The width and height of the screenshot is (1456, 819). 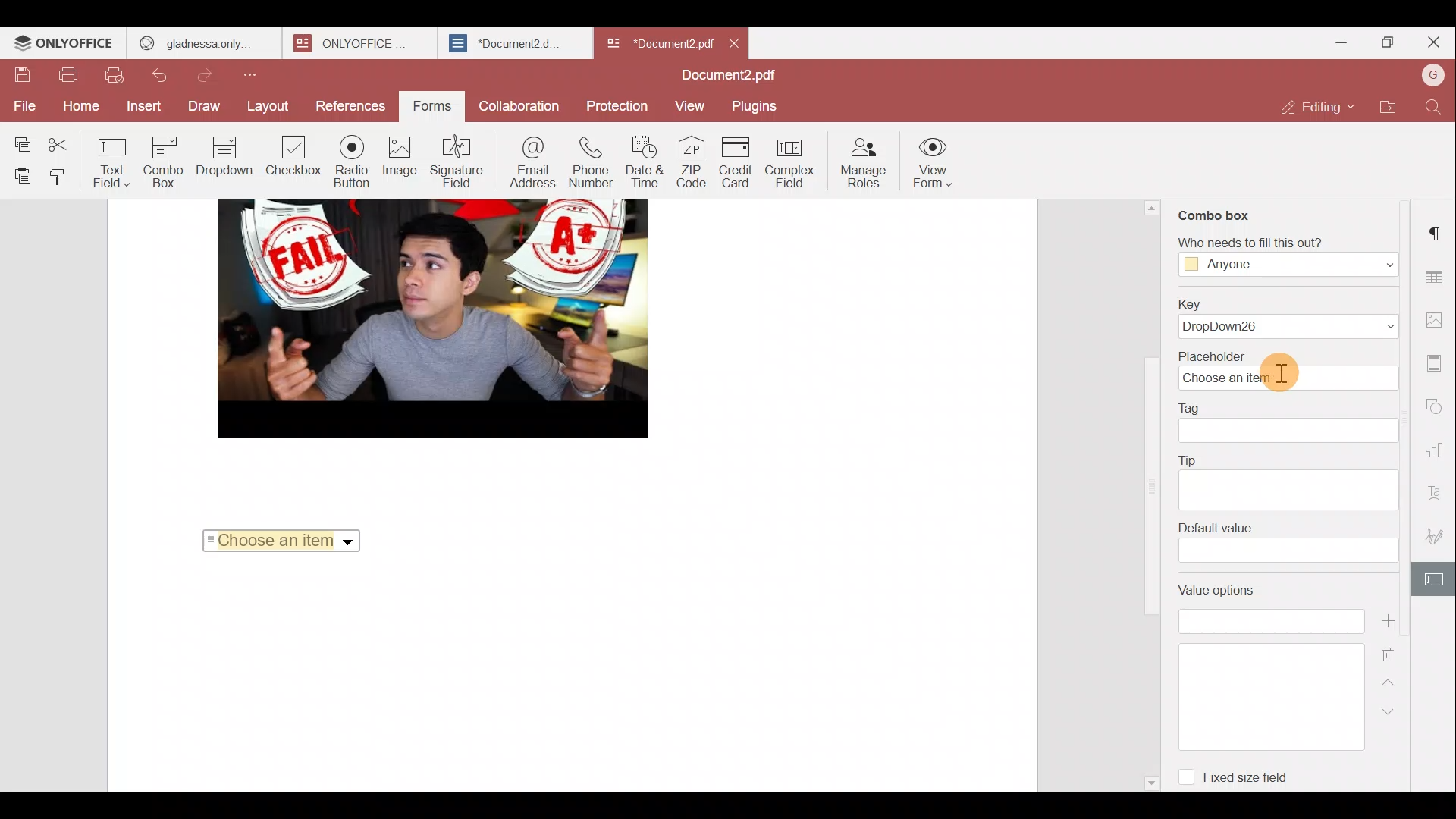 What do you see at coordinates (1437, 229) in the screenshot?
I see `Paragraph settings` at bounding box center [1437, 229].